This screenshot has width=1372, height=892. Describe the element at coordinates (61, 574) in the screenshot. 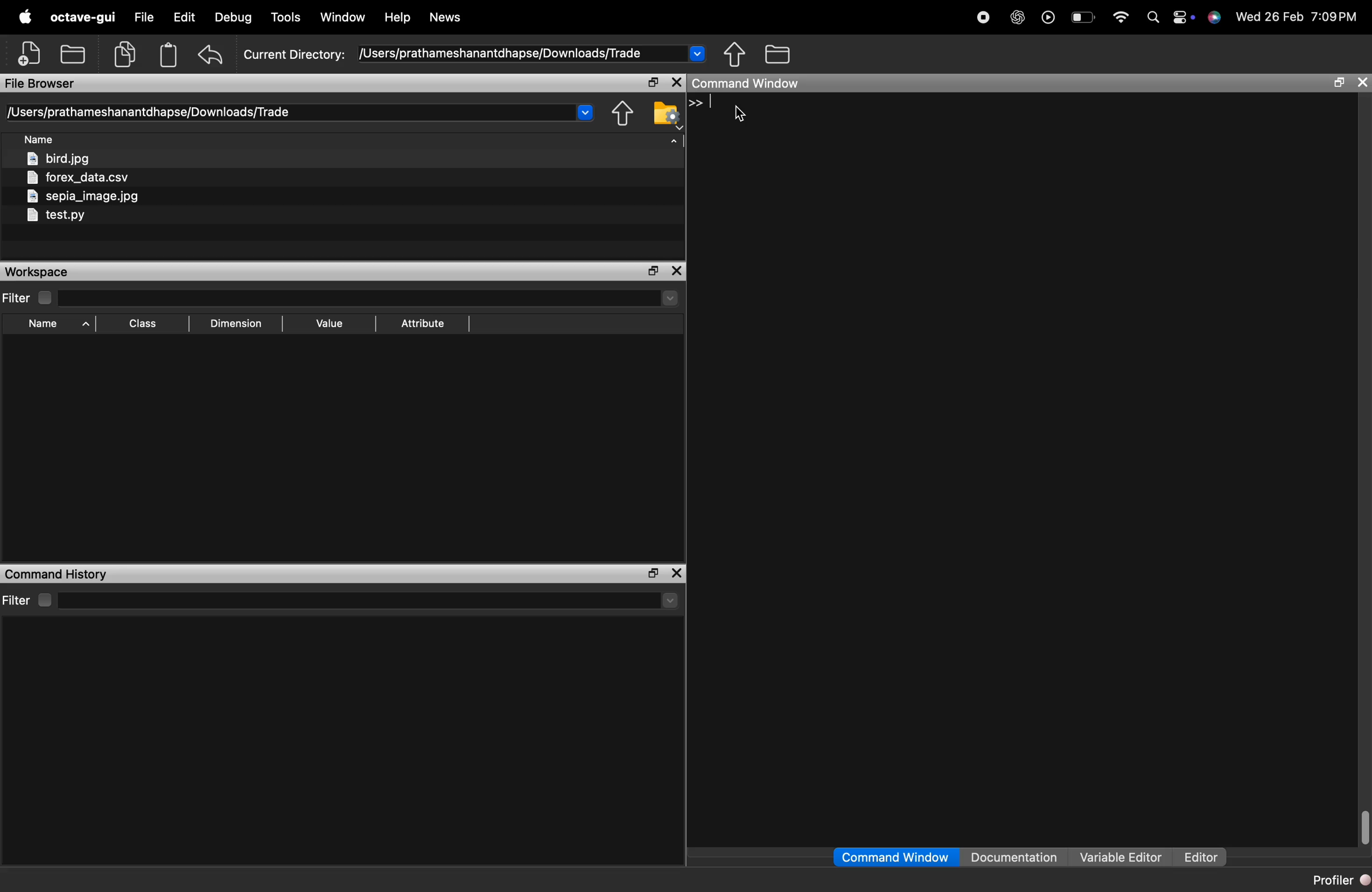

I see `command history` at that location.